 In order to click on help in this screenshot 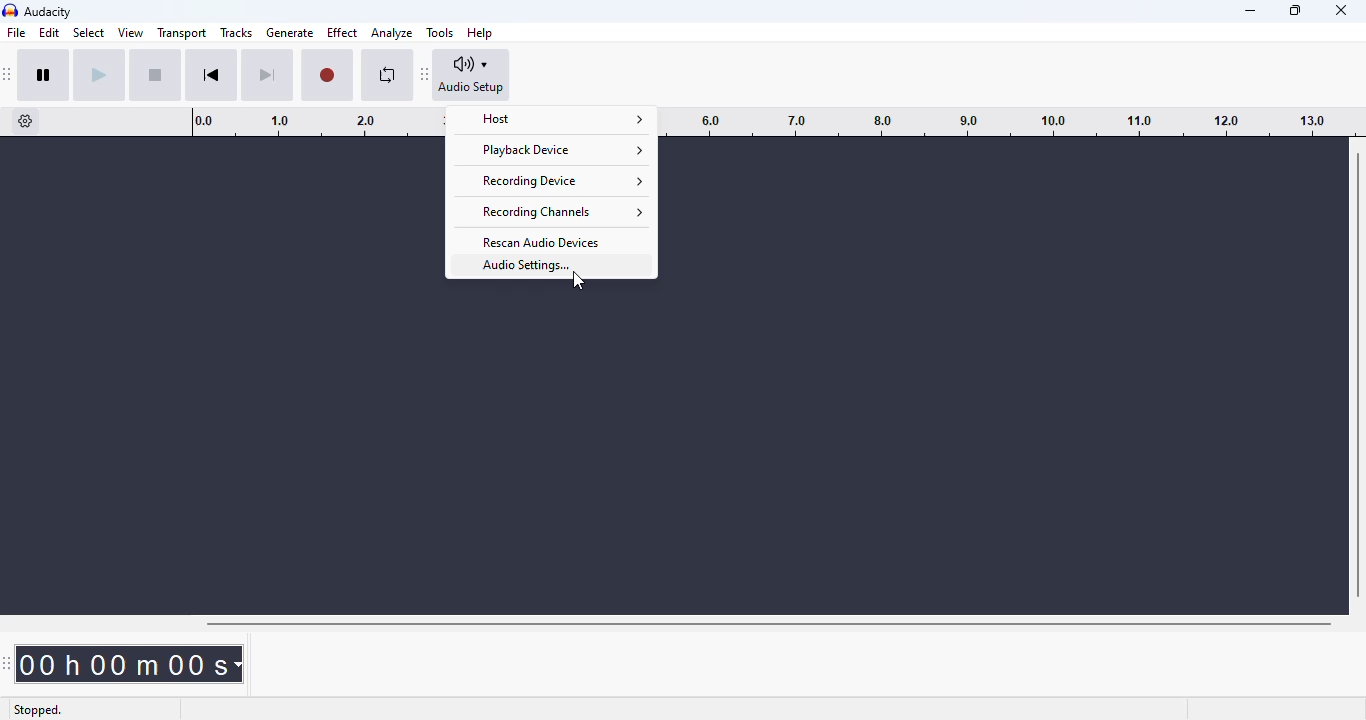, I will do `click(481, 32)`.